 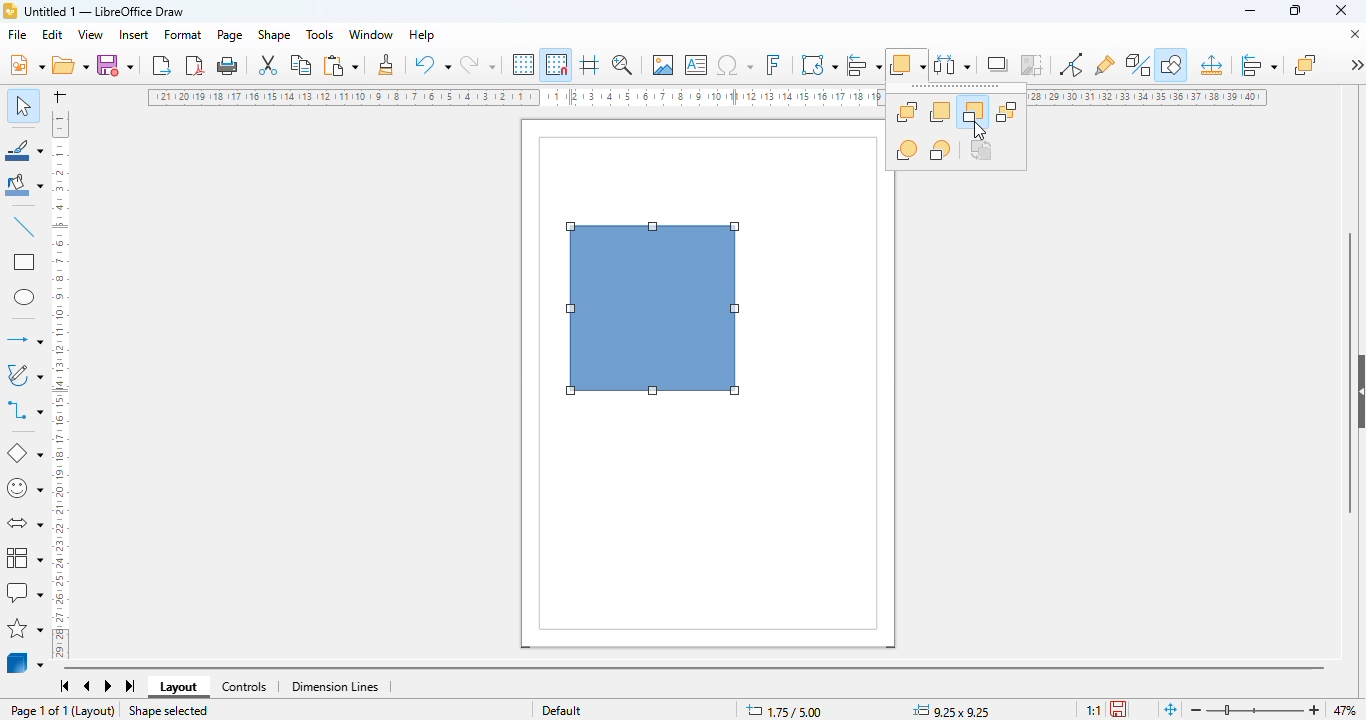 I want to click on redo, so click(x=478, y=64).